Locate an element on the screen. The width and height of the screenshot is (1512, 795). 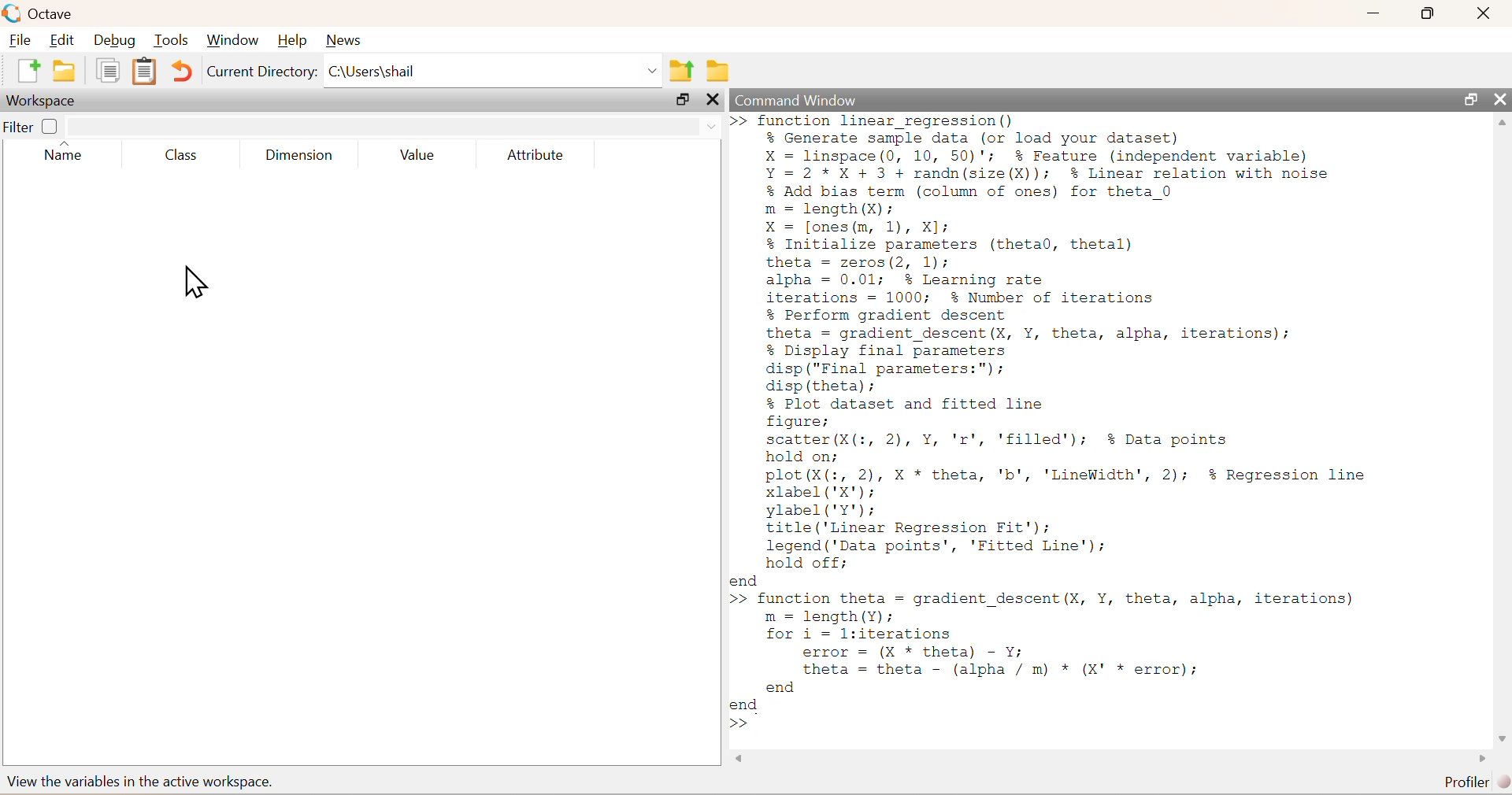
Value is located at coordinates (418, 155).